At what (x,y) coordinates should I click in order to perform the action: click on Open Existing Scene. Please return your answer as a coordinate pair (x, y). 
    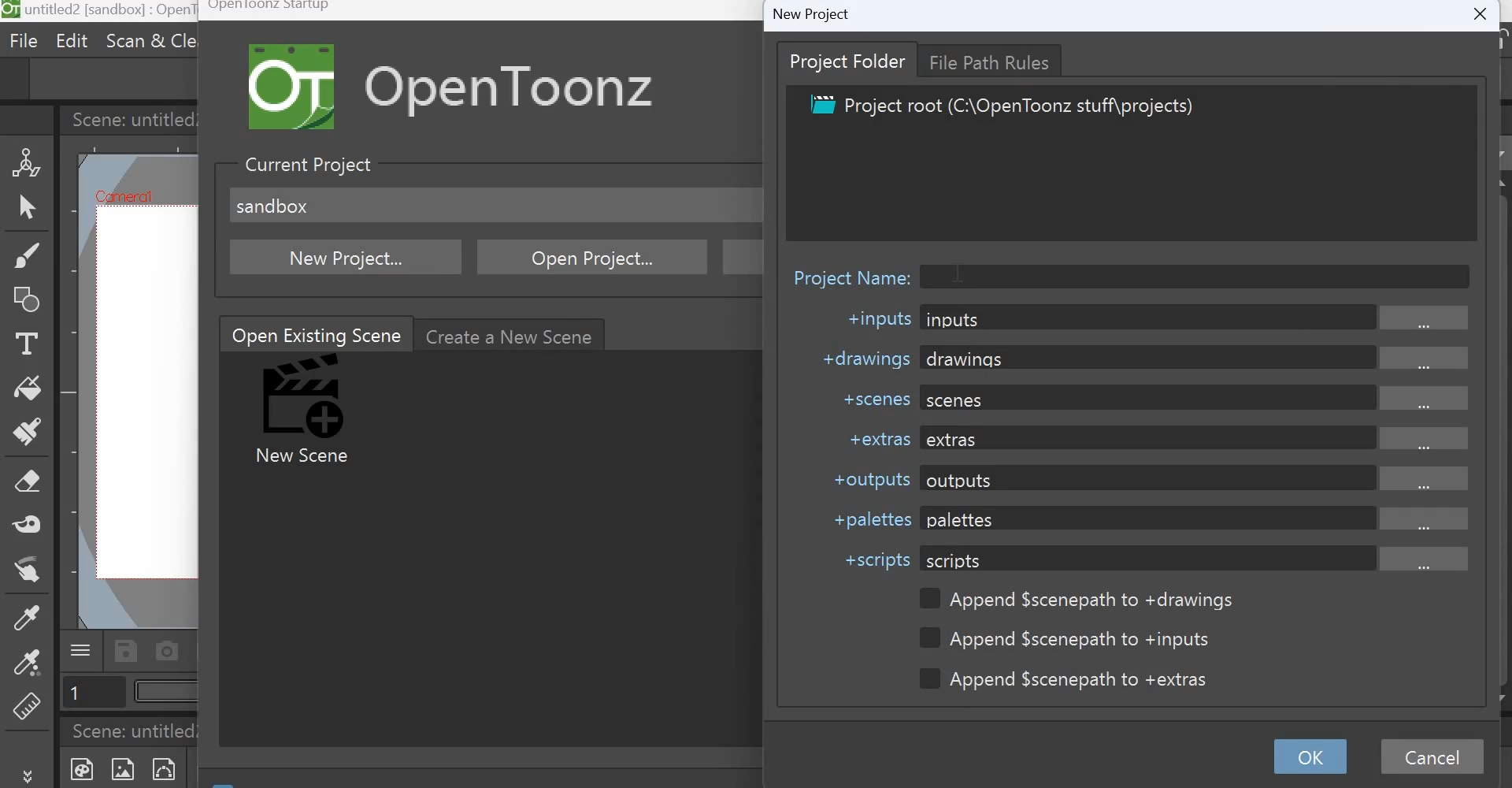
    Looking at the image, I should click on (315, 333).